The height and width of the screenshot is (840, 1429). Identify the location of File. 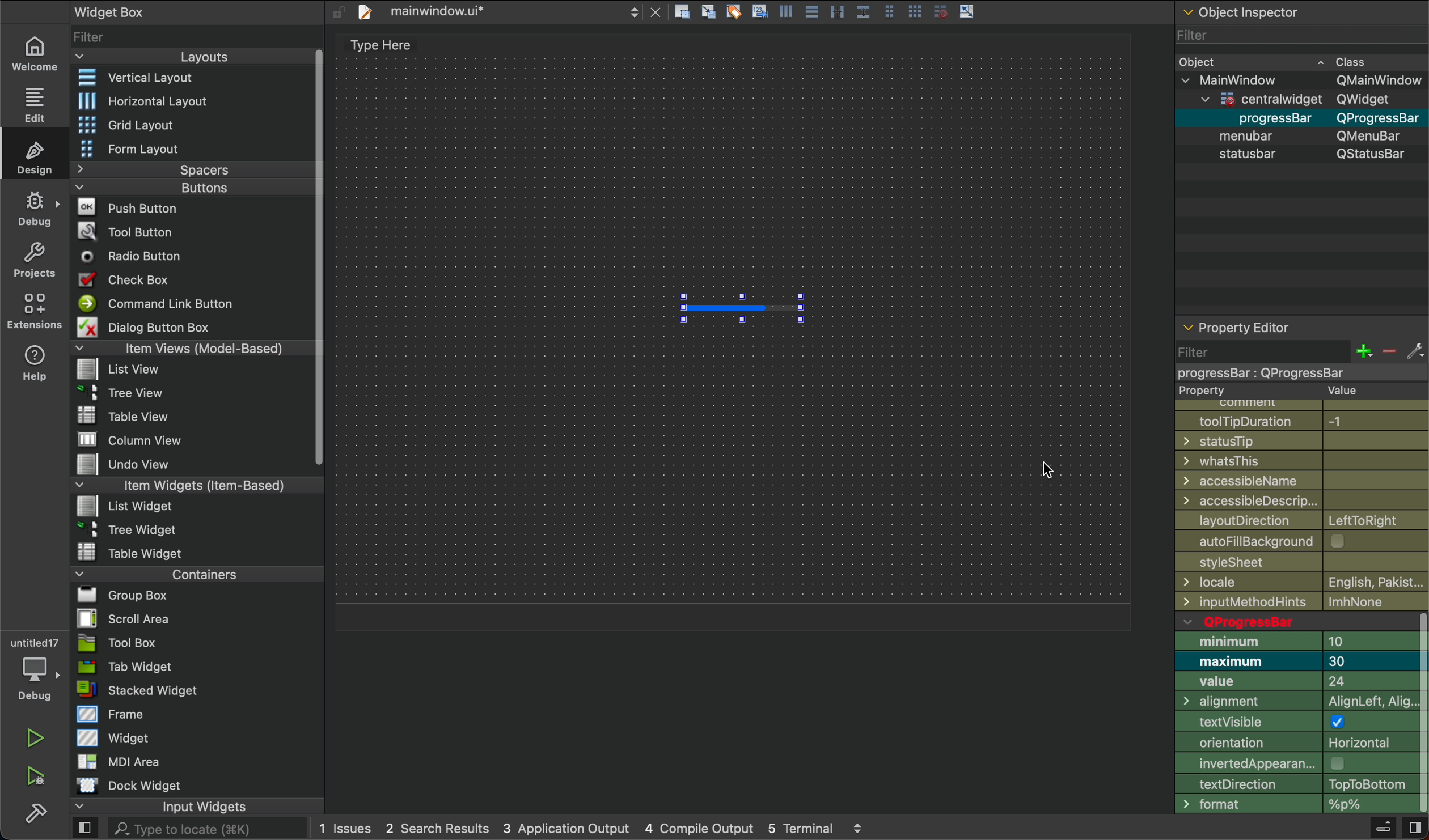
(118, 618).